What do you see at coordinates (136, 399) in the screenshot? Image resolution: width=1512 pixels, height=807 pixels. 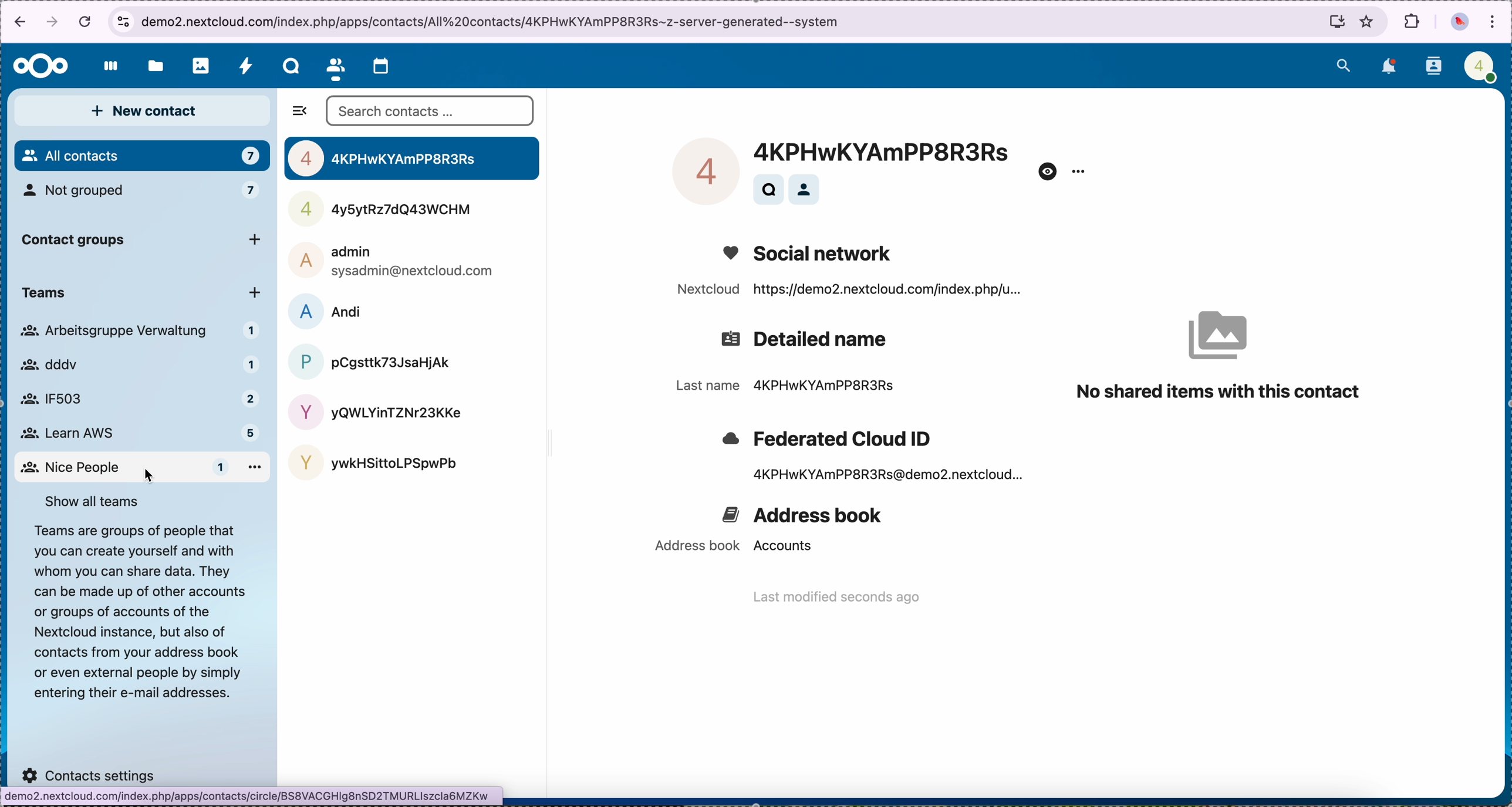 I see `IF503` at bounding box center [136, 399].